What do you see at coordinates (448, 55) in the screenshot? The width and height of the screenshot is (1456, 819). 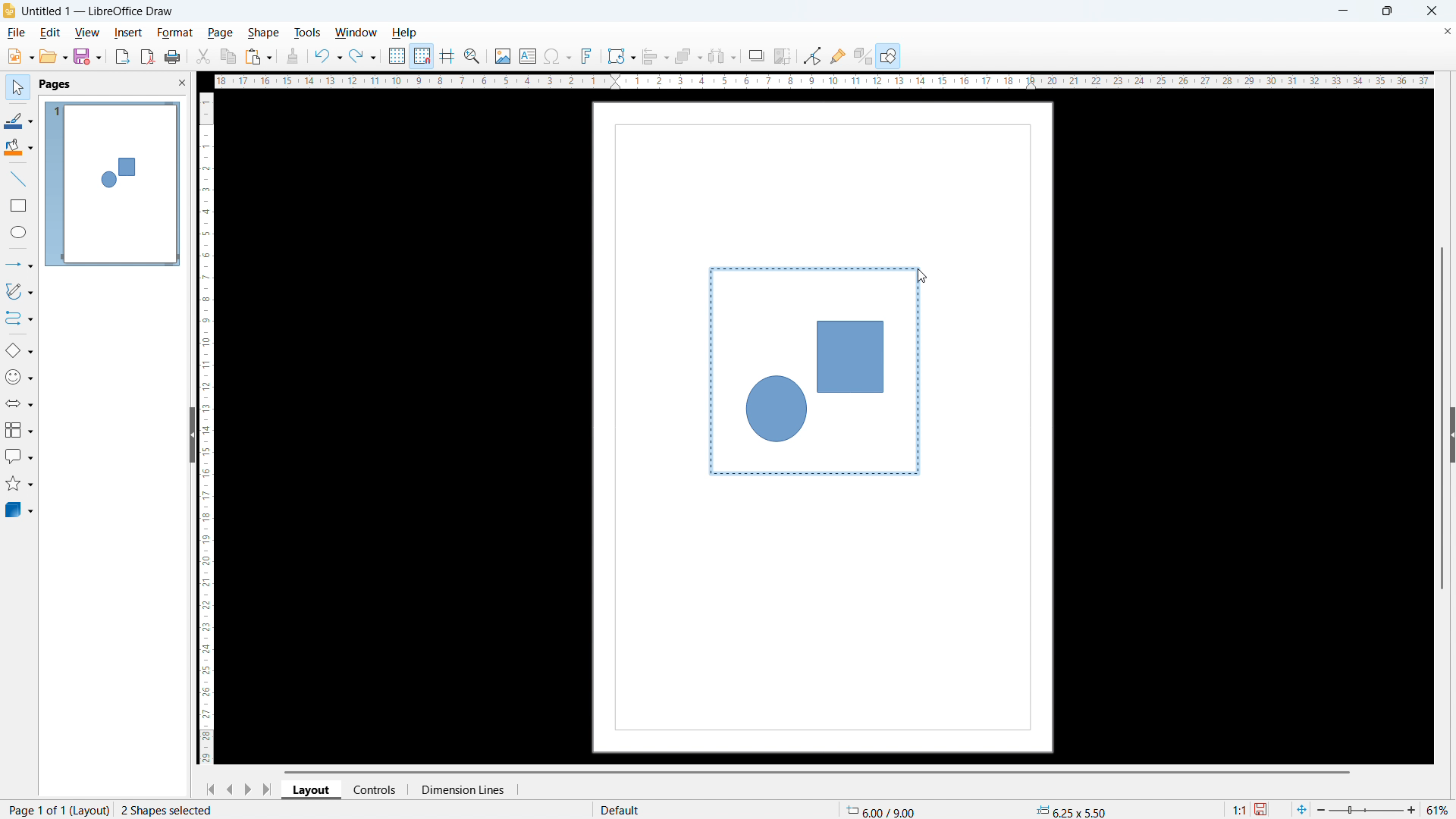 I see `guidelines while moving` at bounding box center [448, 55].